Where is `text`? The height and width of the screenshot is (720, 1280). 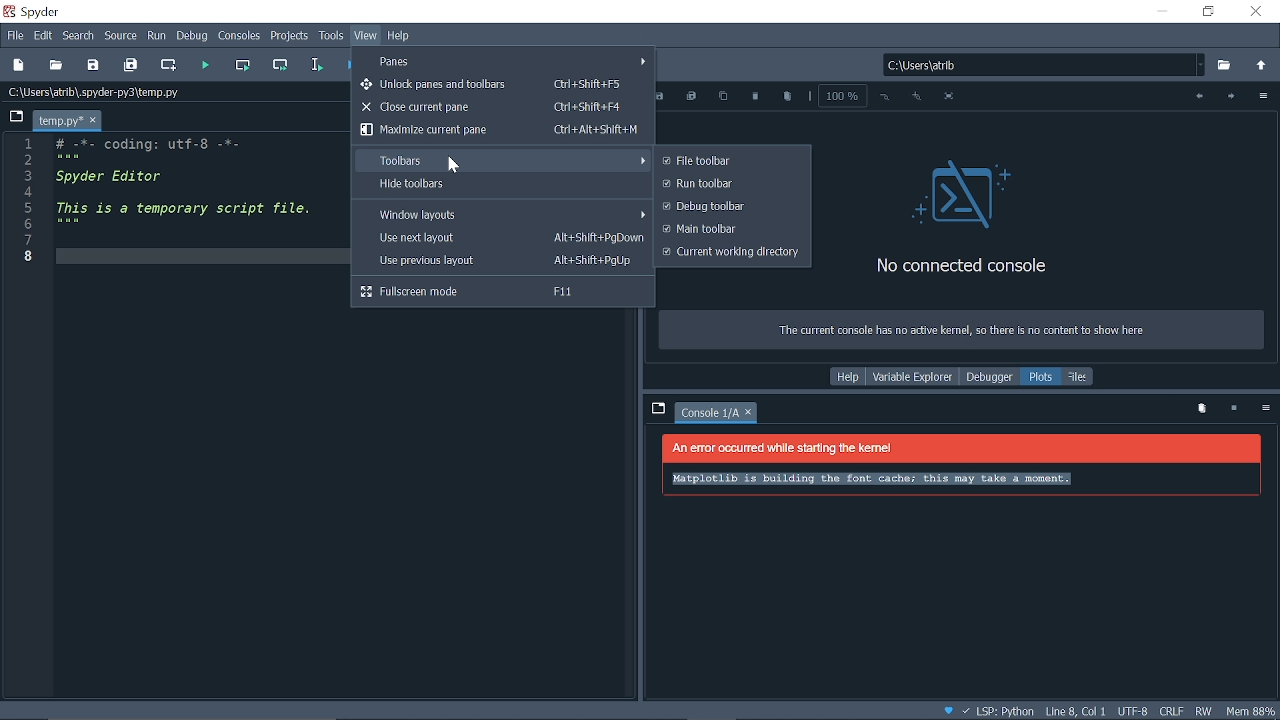 text is located at coordinates (960, 330).